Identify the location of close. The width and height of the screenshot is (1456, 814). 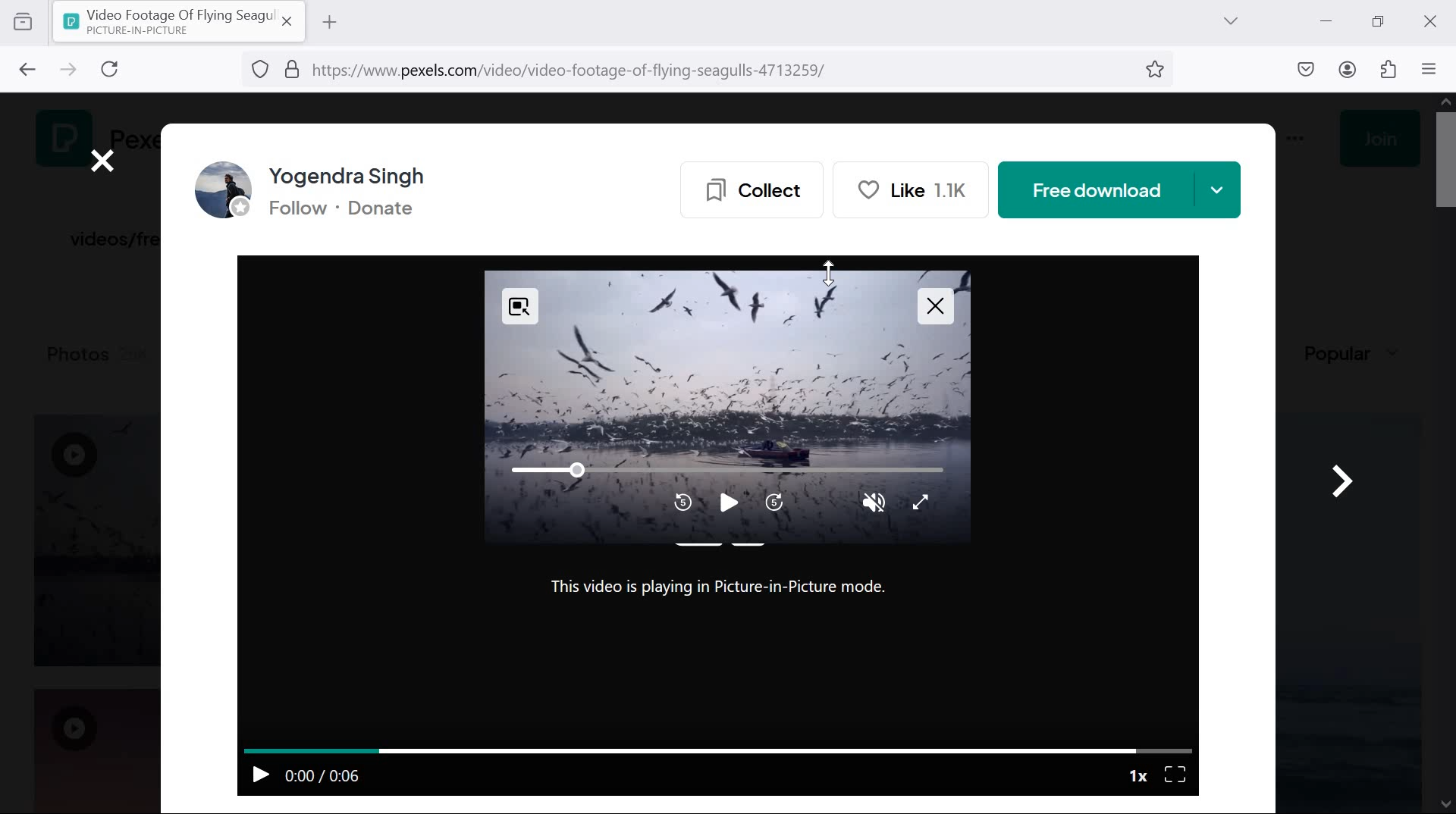
(1428, 21).